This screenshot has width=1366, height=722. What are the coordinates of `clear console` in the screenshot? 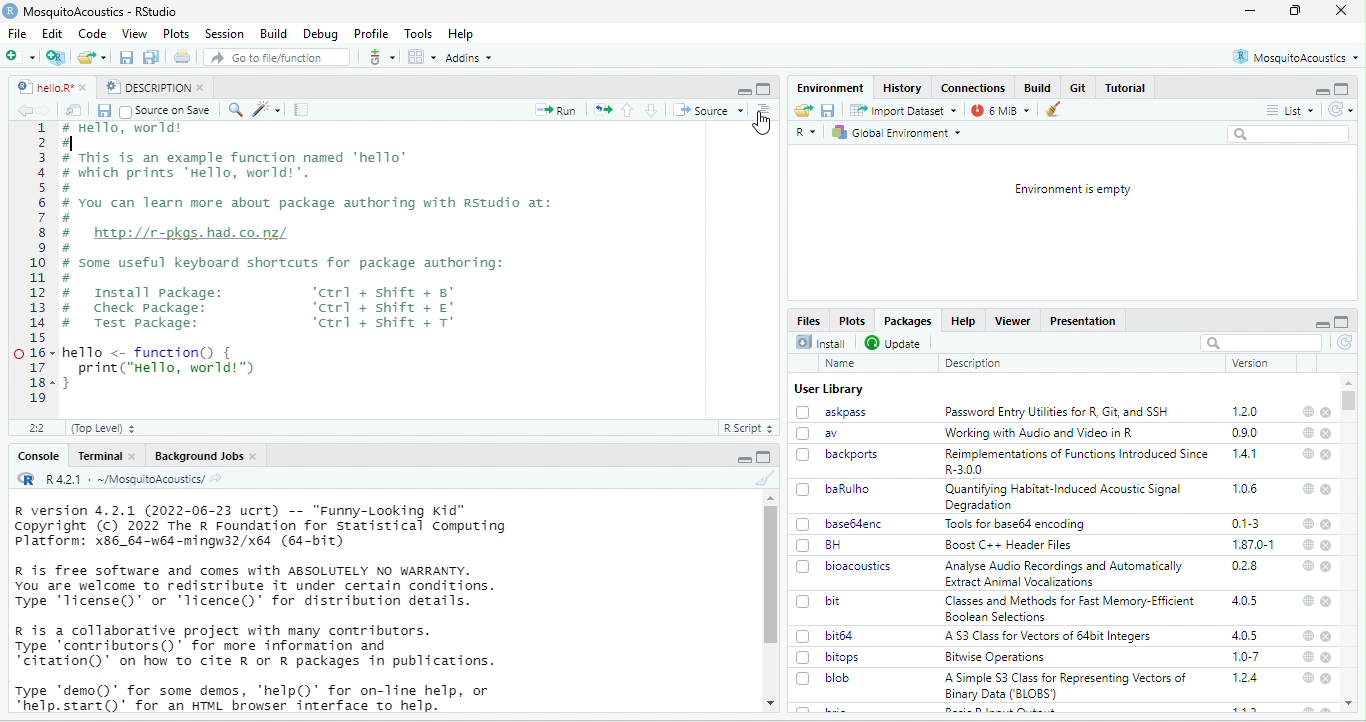 It's located at (760, 478).